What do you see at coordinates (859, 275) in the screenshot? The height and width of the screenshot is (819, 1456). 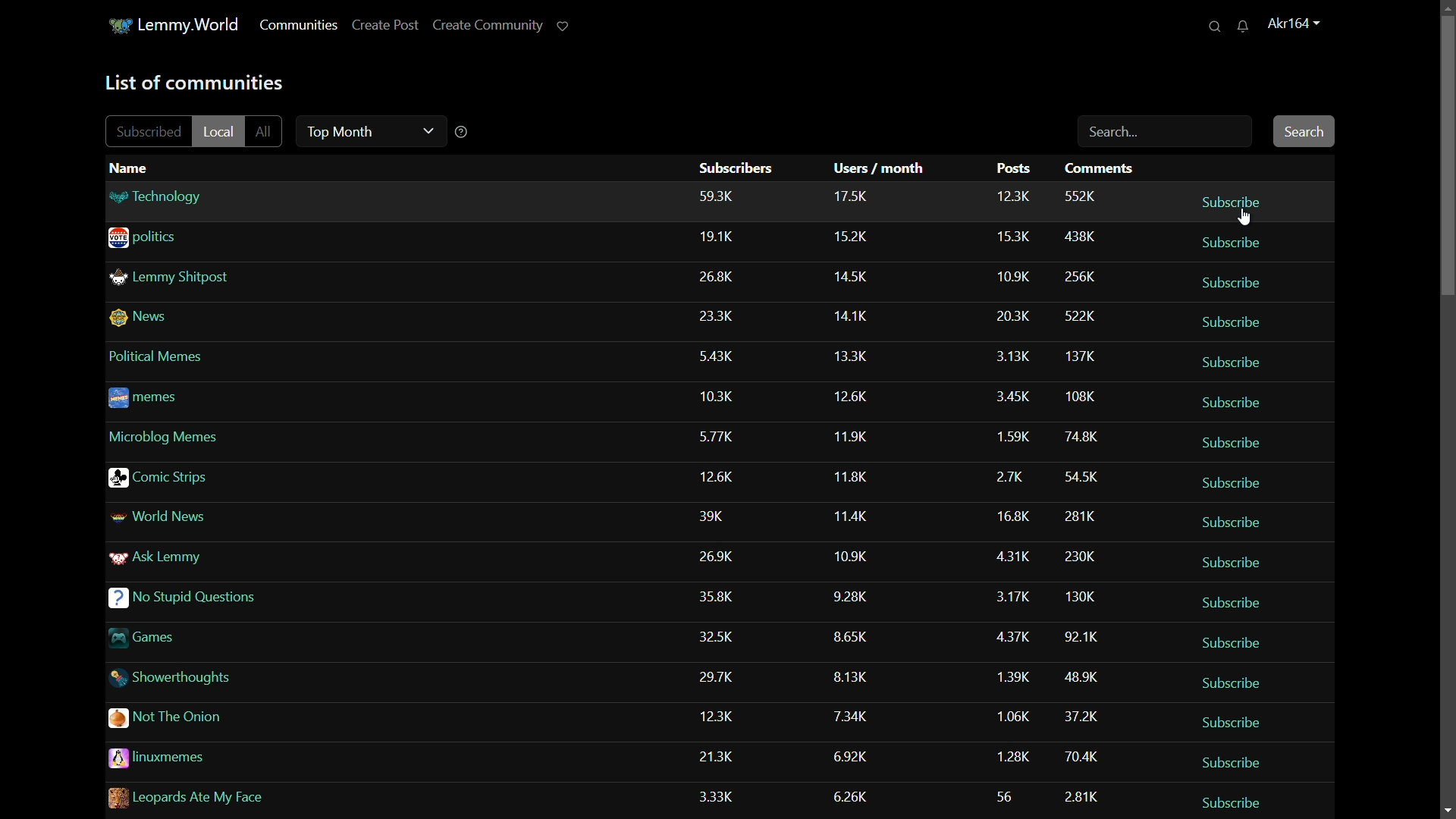 I see `user per month` at bounding box center [859, 275].